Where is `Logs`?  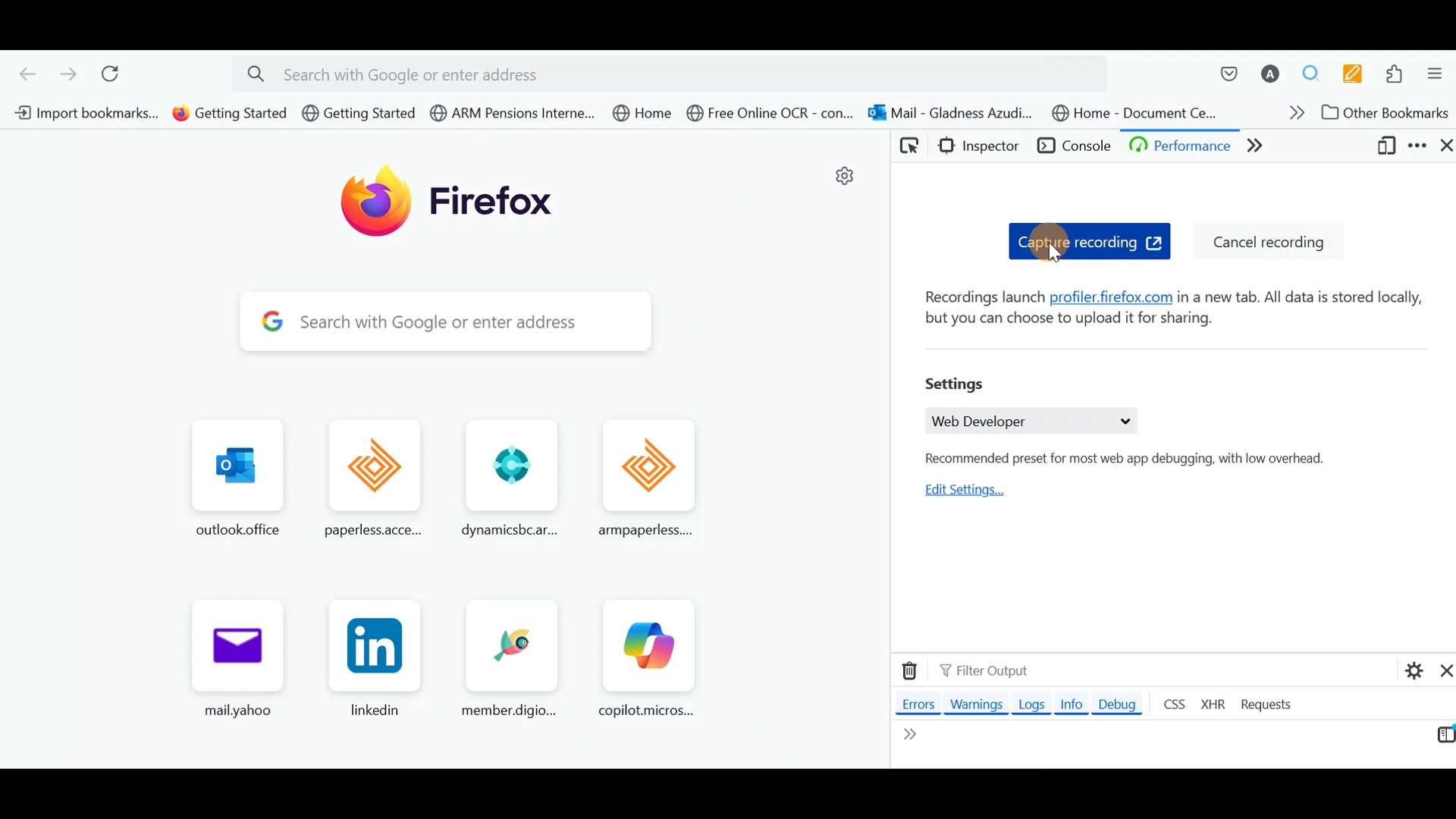 Logs is located at coordinates (1030, 704).